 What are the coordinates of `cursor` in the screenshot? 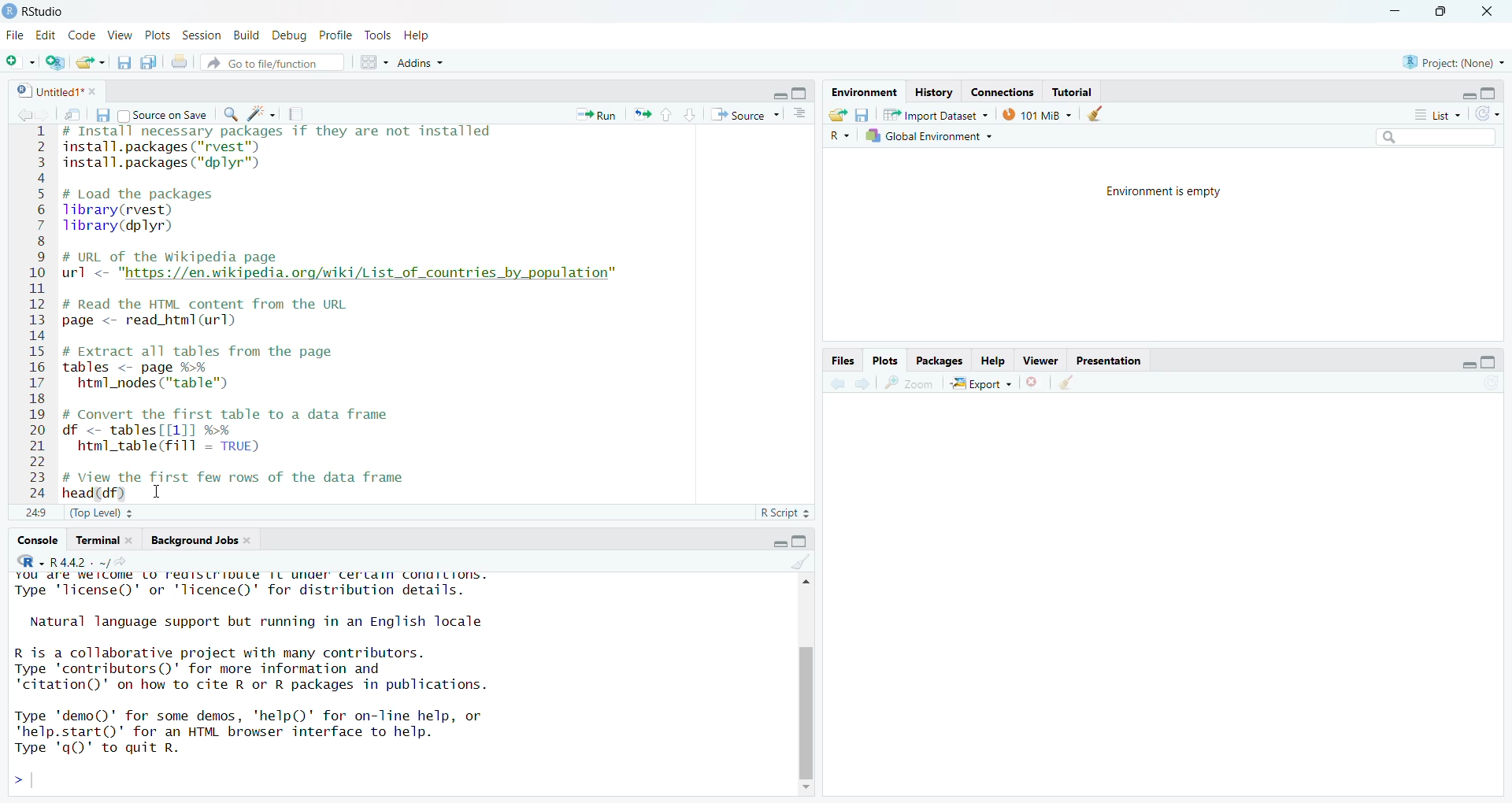 It's located at (160, 492).